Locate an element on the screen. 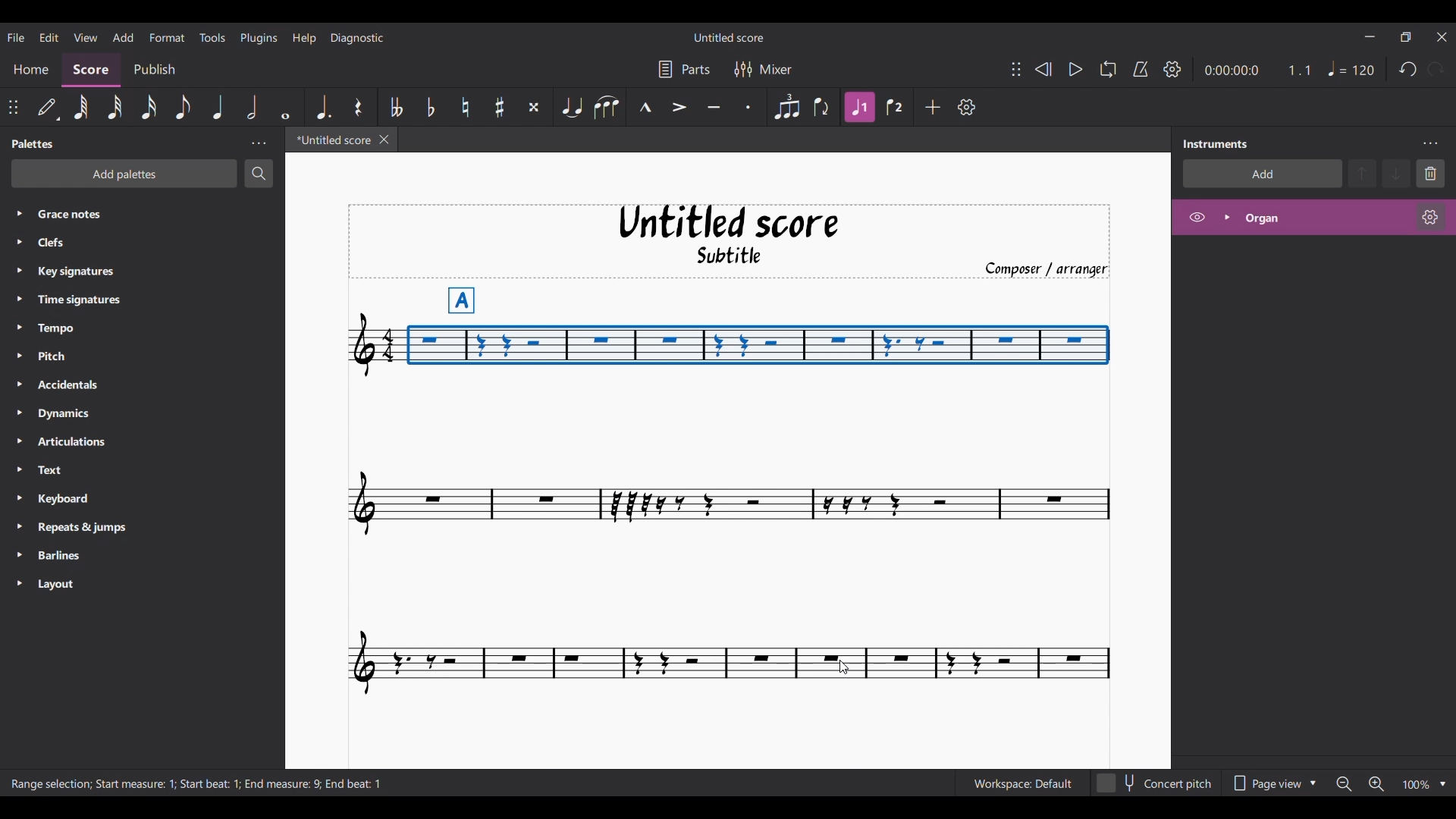  Zoom in is located at coordinates (1376, 784).